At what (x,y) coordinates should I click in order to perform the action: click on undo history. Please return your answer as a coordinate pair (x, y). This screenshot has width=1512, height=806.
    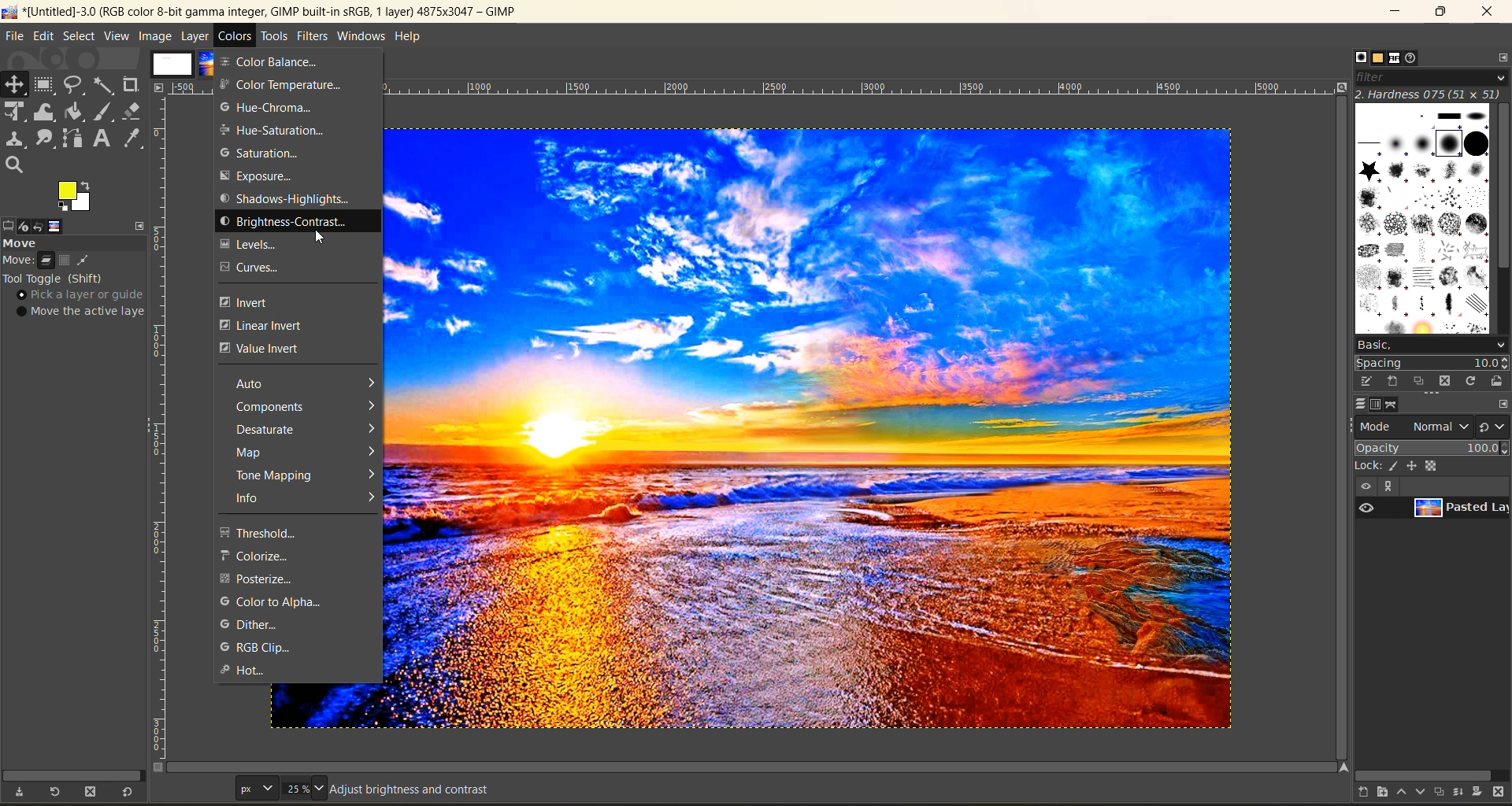
    Looking at the image, I should click on (37, 227).